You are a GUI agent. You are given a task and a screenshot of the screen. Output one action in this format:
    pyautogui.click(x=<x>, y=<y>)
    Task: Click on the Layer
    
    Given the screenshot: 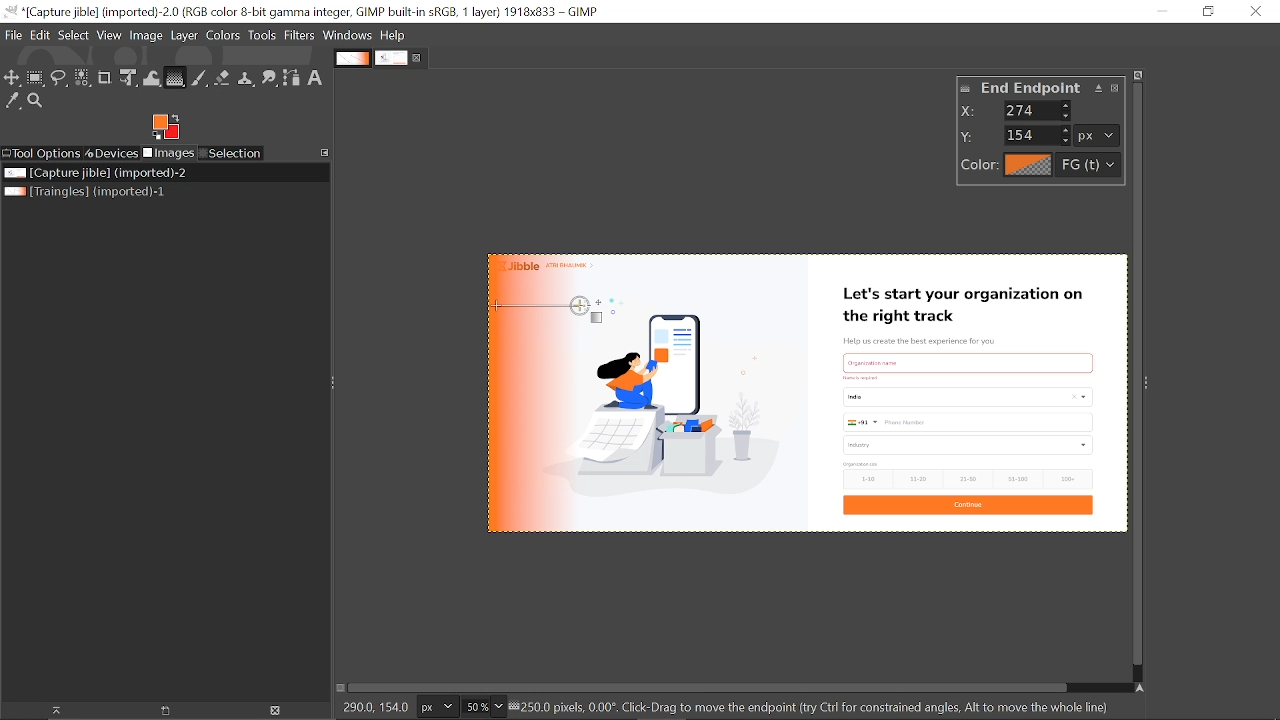 What is the action you would take?
    pyautogui.click(x=185, y=36)
    